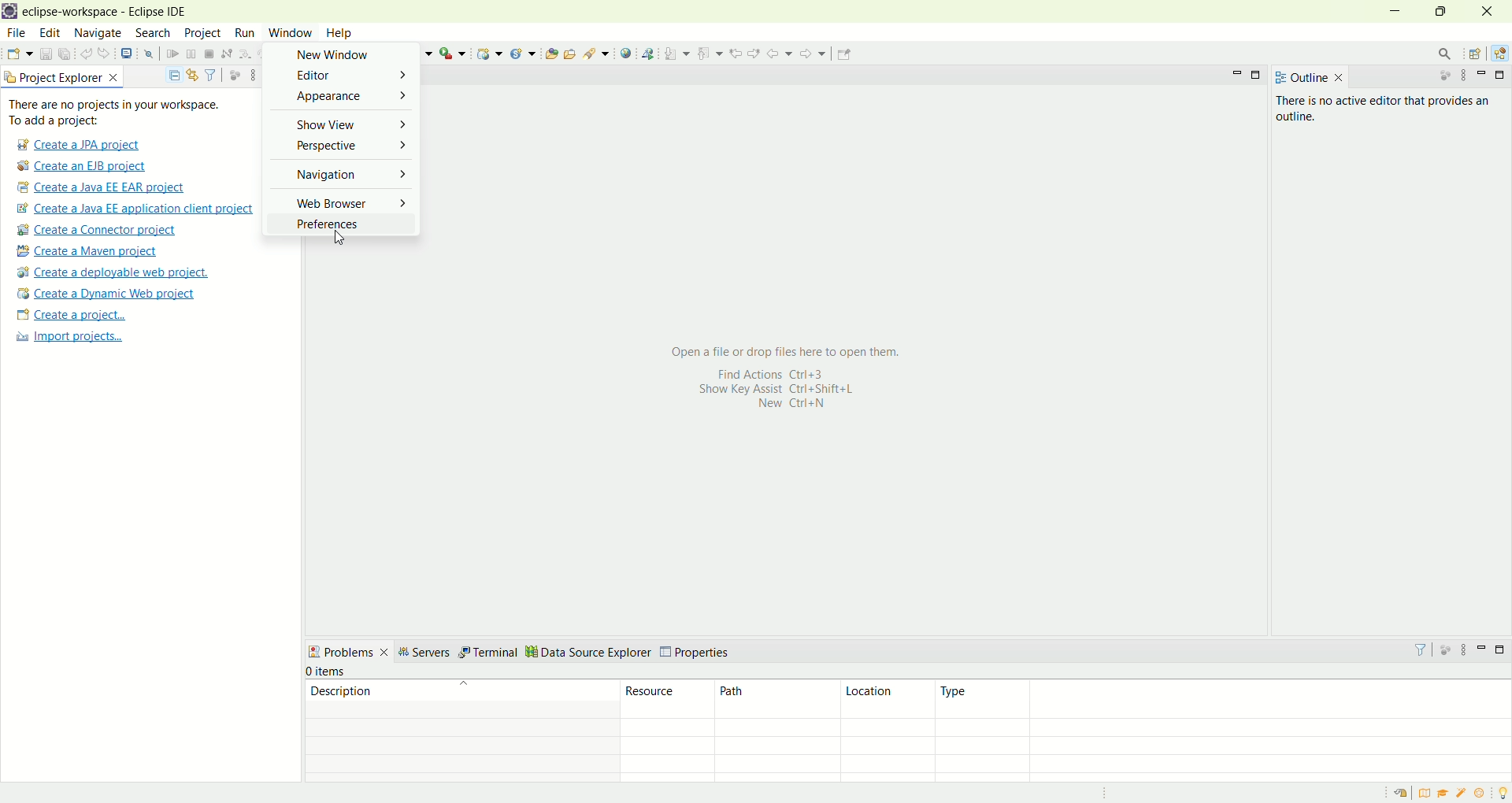 The image size is (1512, 803). What do you see at coordinates (83, 167) in the screenshot?
I see `create a EJB project` at bounding box center [83, 167].